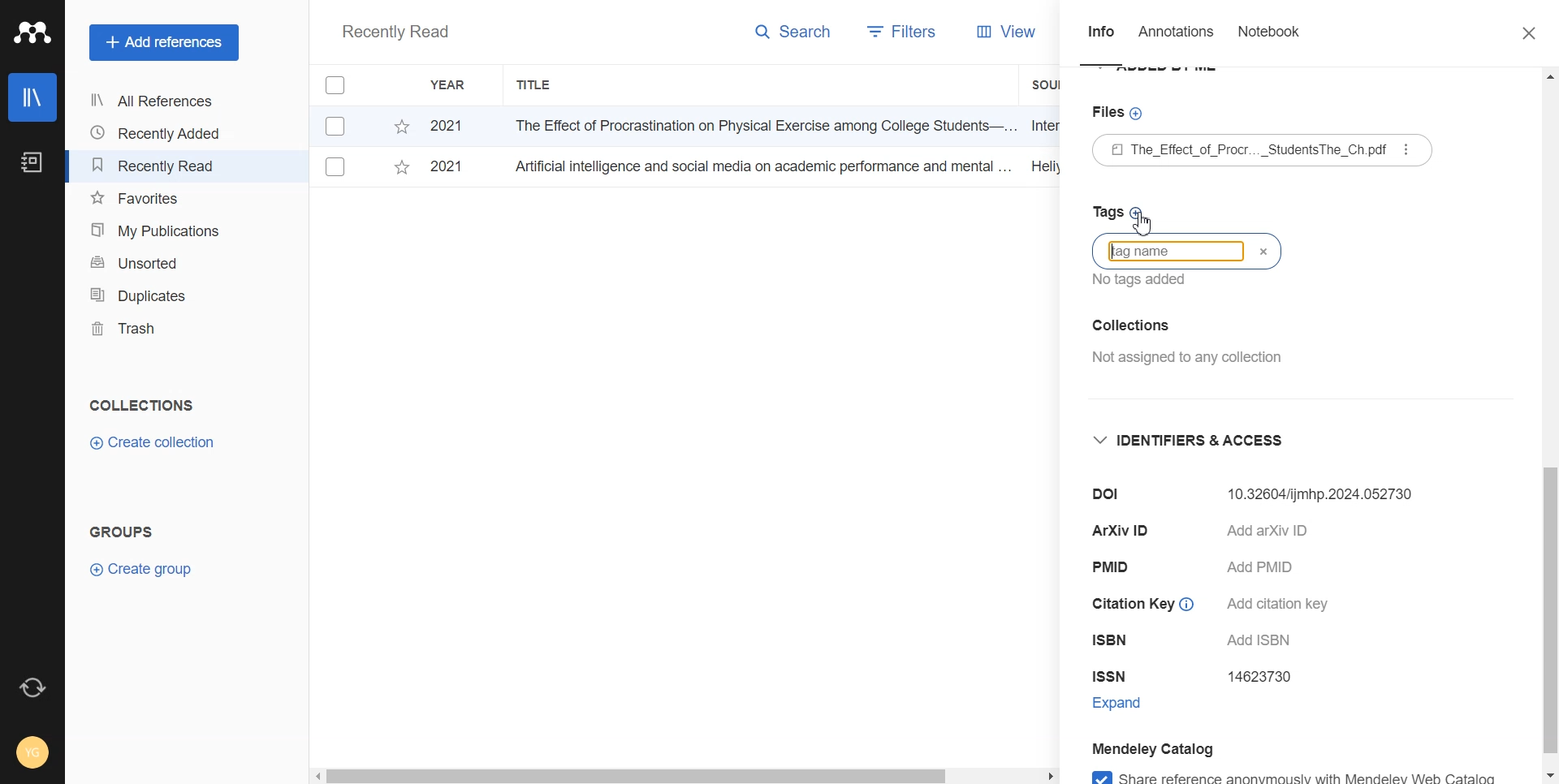 This screenshot has width=1559, height=784. Describe the element at coordinates (535, 85) in the screenshot. I see `Title` at that location.